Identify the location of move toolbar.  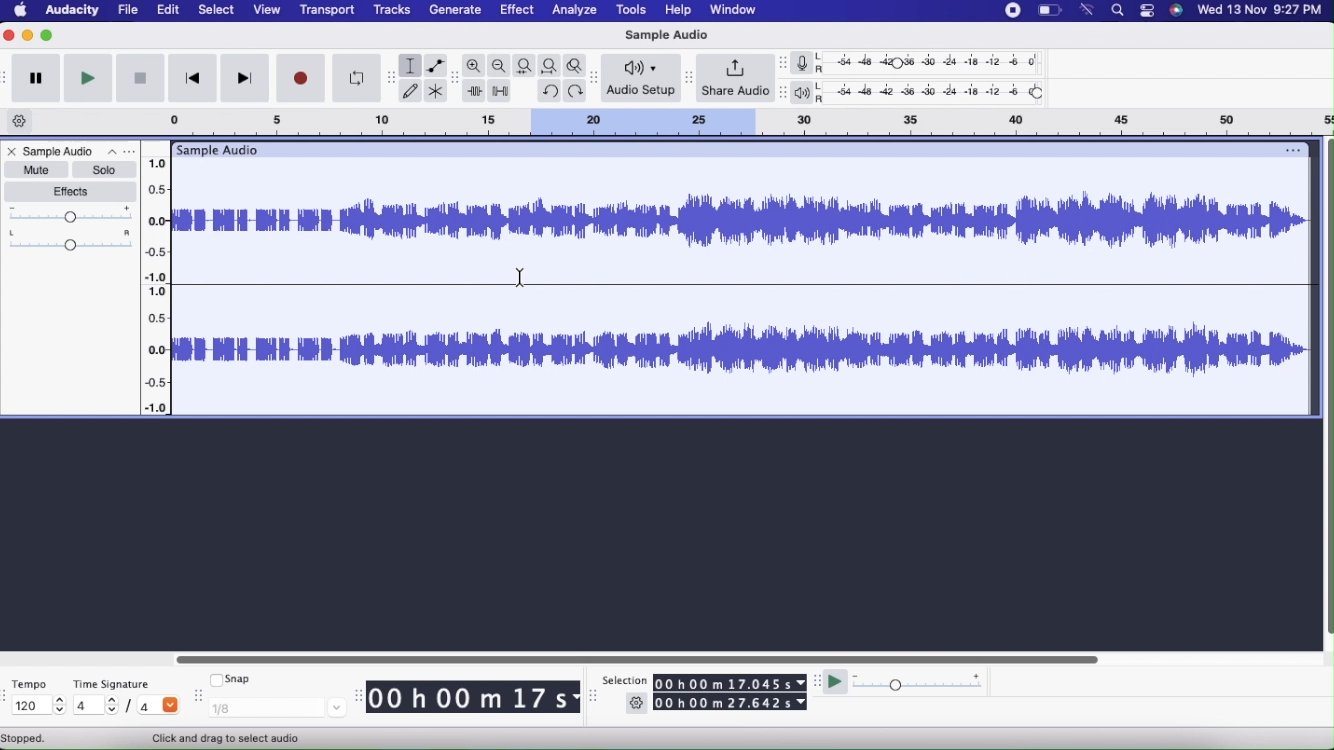
(597, 80).